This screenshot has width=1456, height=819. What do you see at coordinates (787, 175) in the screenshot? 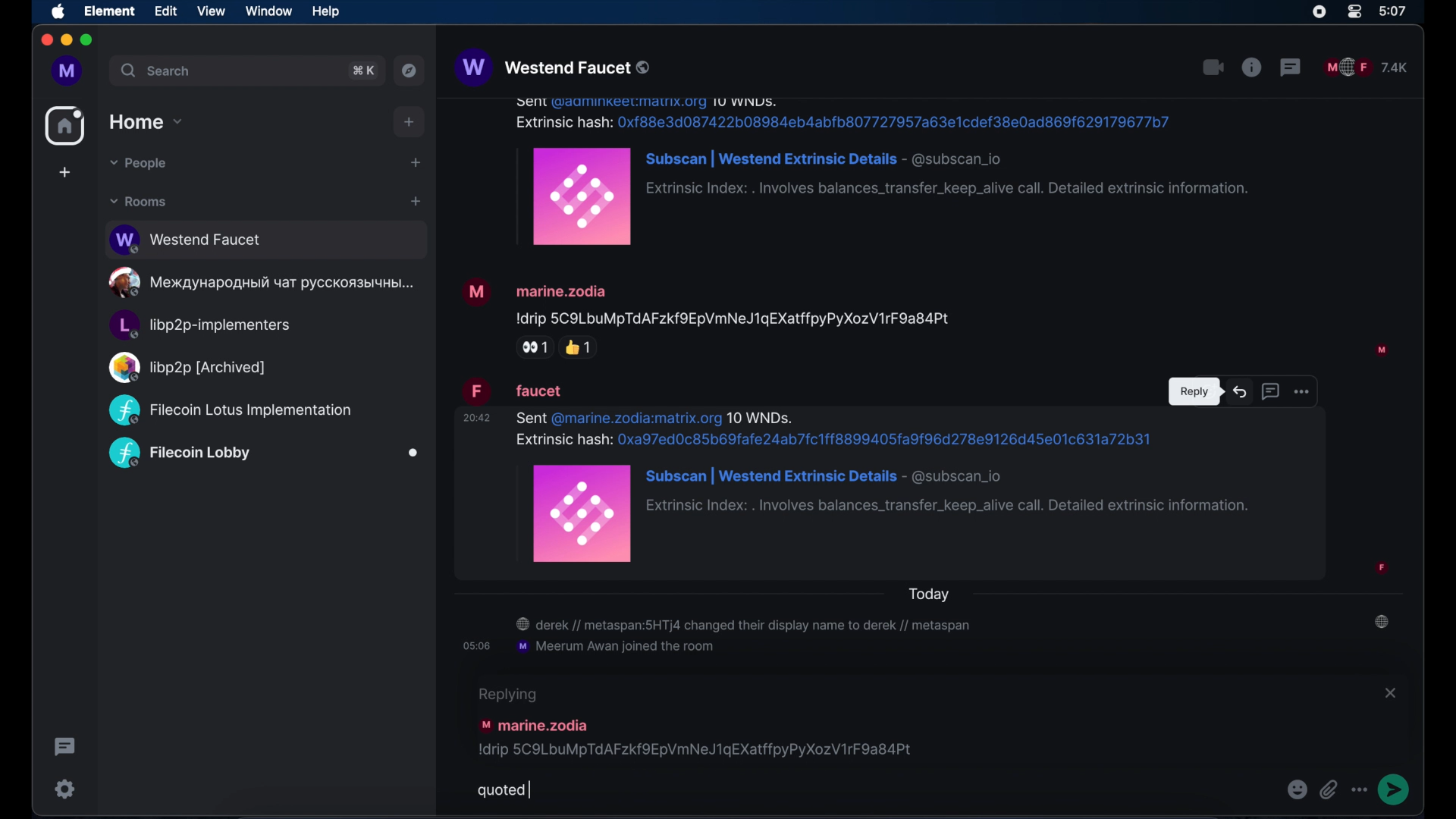
I see `message` at bounding box center [787, 175].